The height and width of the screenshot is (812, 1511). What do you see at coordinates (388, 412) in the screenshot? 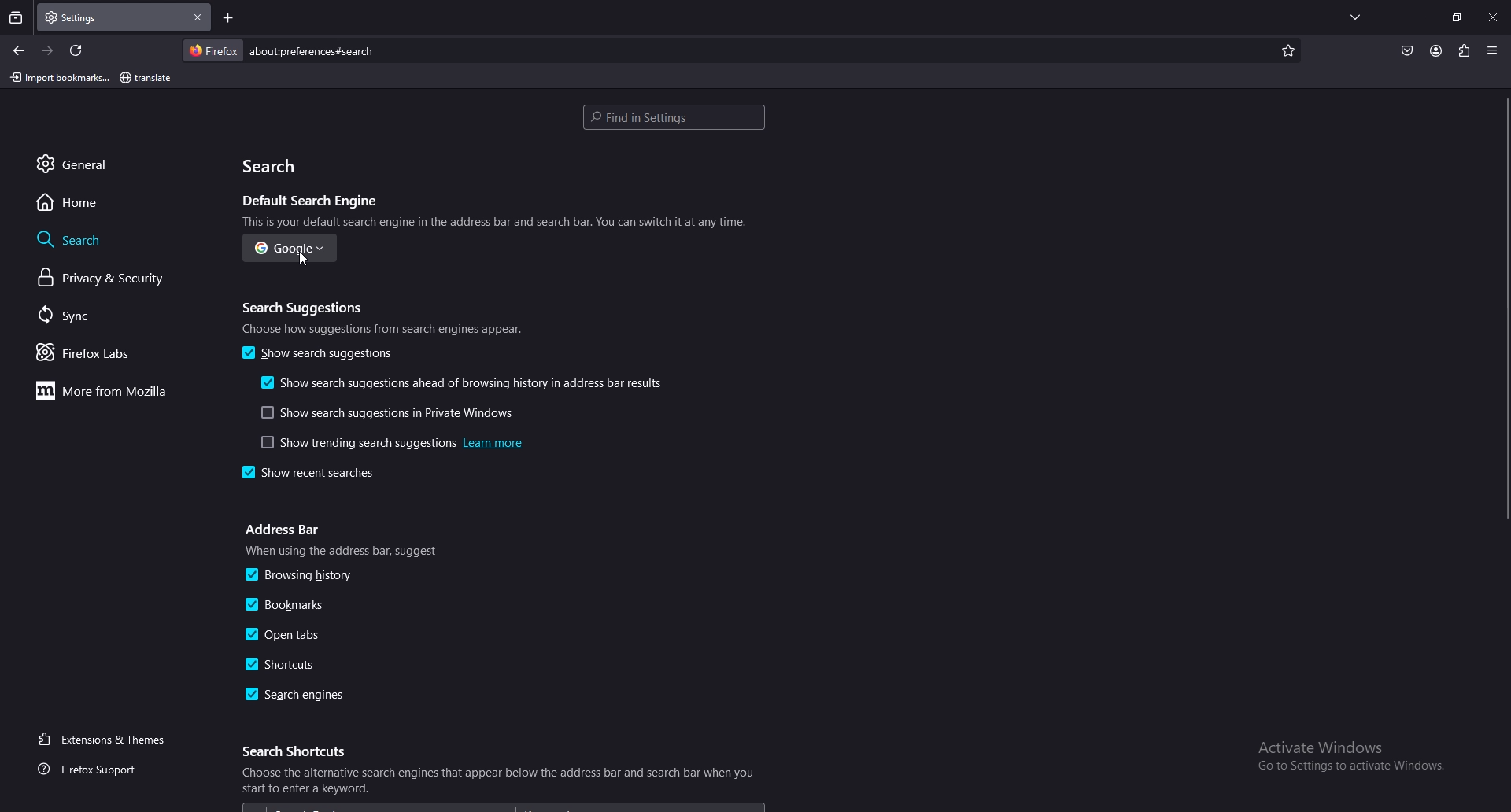
I see `show search suggestions in private windows` at bounding box center [388, 412].